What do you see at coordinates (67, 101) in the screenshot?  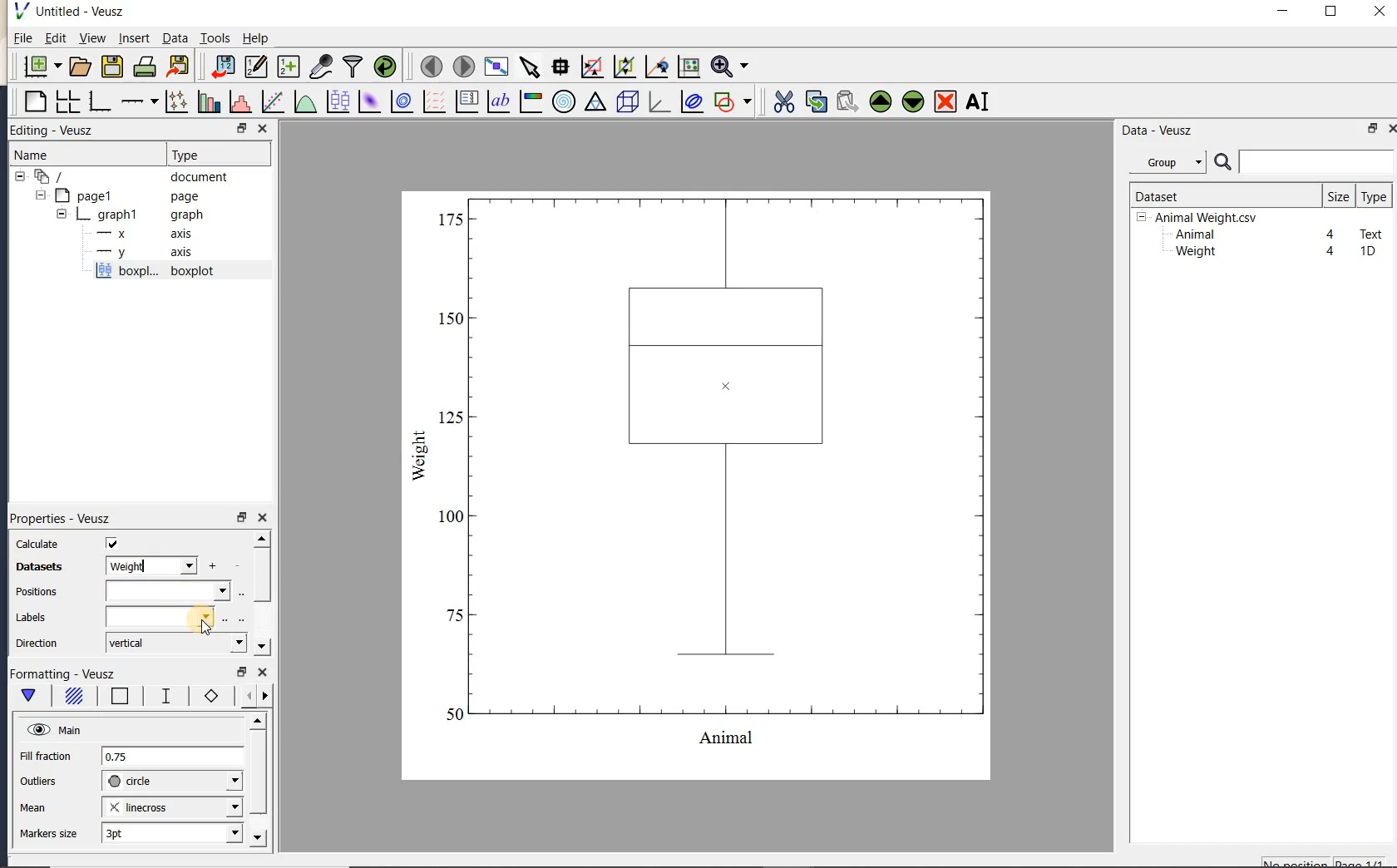 I see `arrange graphs in a grid` at bounding box center [67, 101].